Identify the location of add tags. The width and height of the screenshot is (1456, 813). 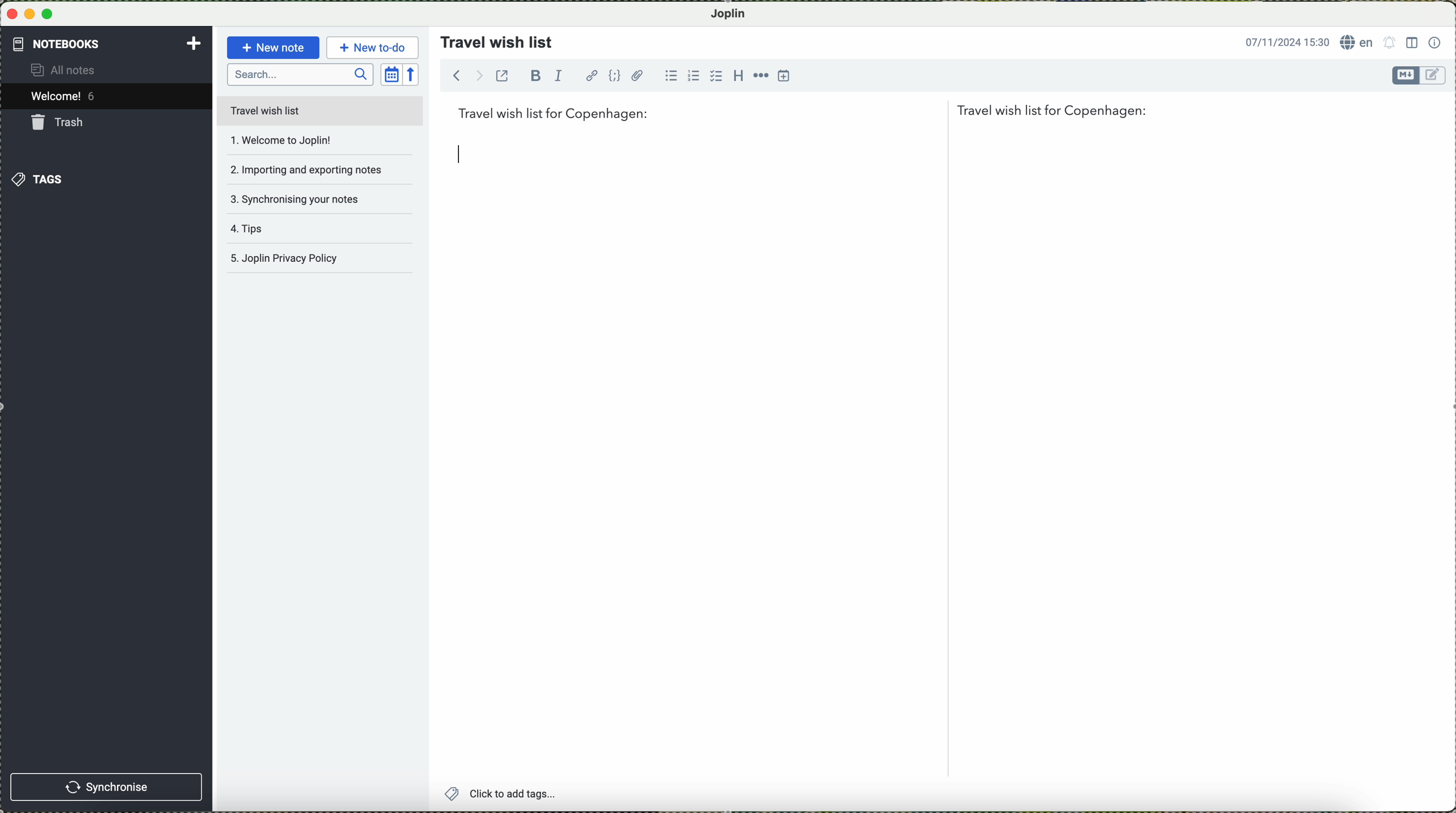
(500, 794).